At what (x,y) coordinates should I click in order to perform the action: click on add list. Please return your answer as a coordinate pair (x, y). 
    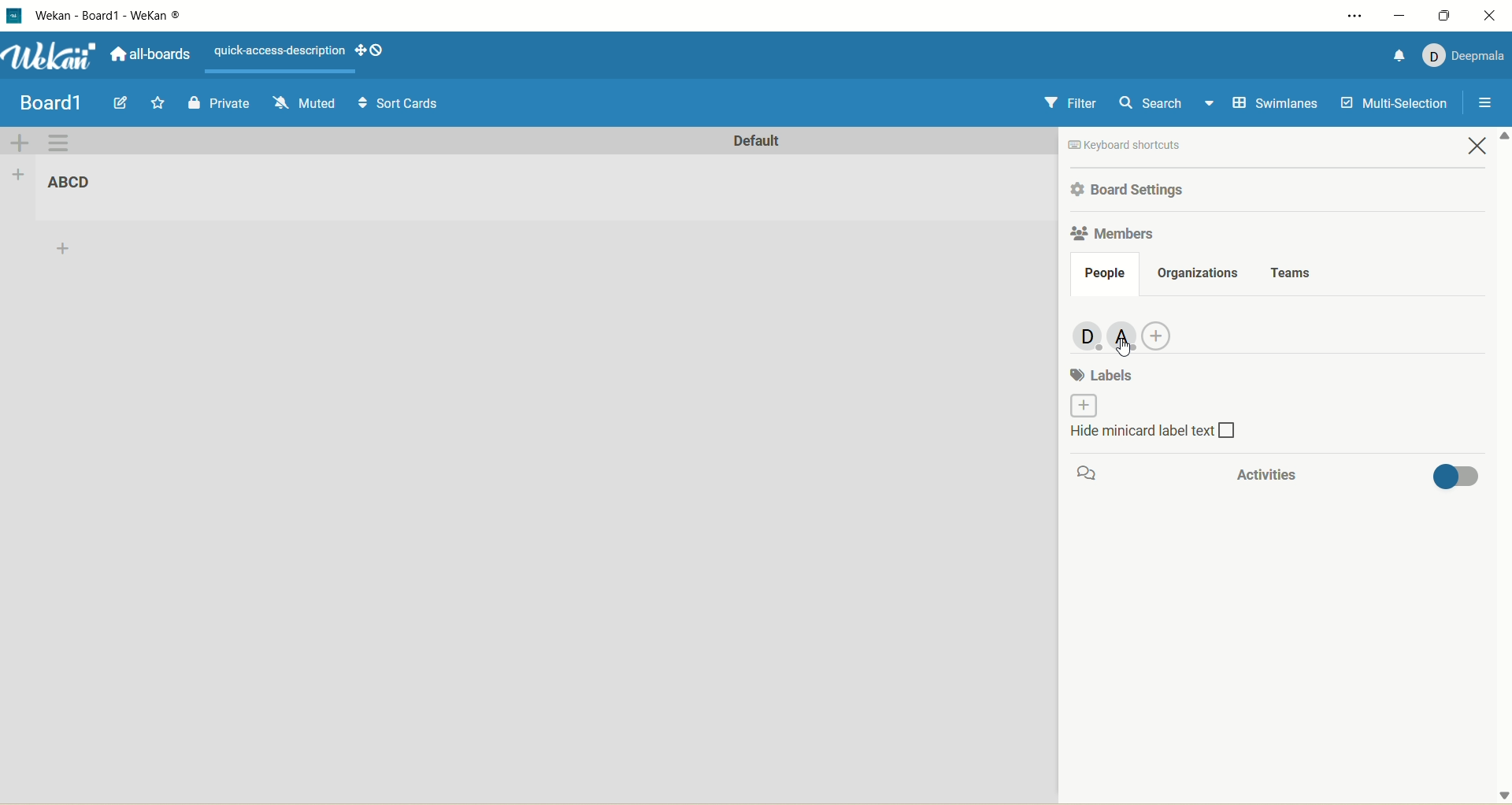
    Looking at the image, I should click on (18, 175).